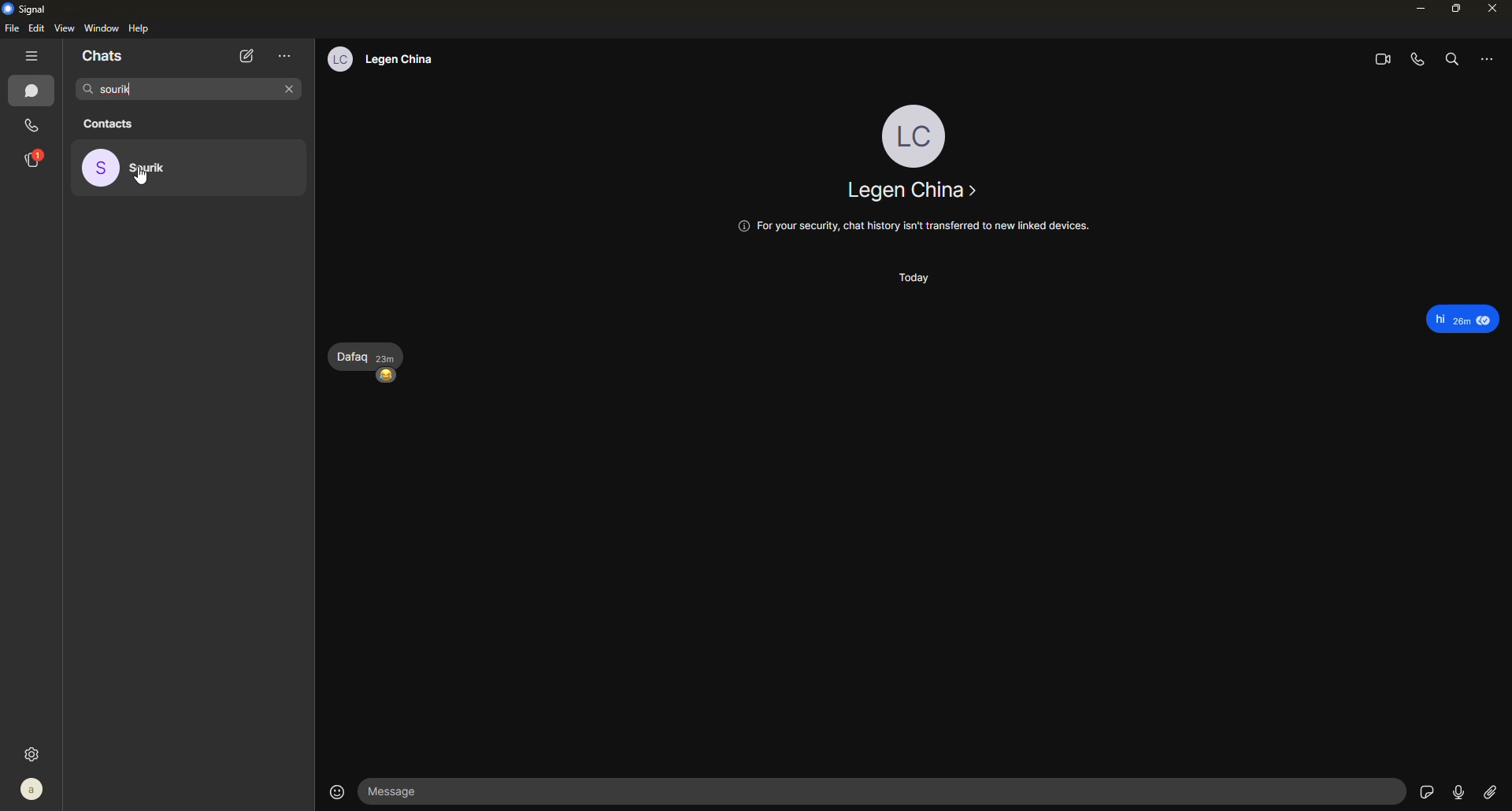 The image size is (1512, 811). What do you see at coordinates (29, 9) in the screenshot?
I see `signal` at bounding box center [29, 9].